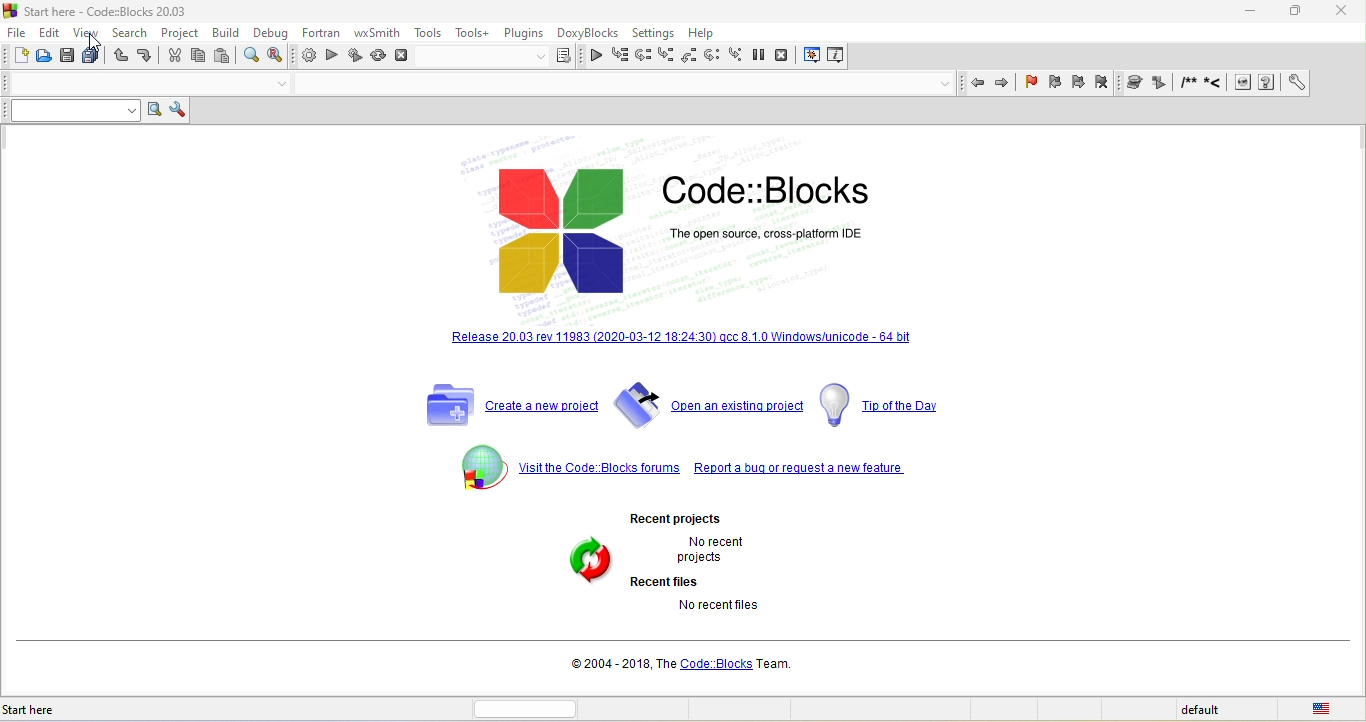 The width and height of the screenshot is (1366, 722). Describe the element at coordinates (87, 34) in the screenshot. I see `view` at that location.